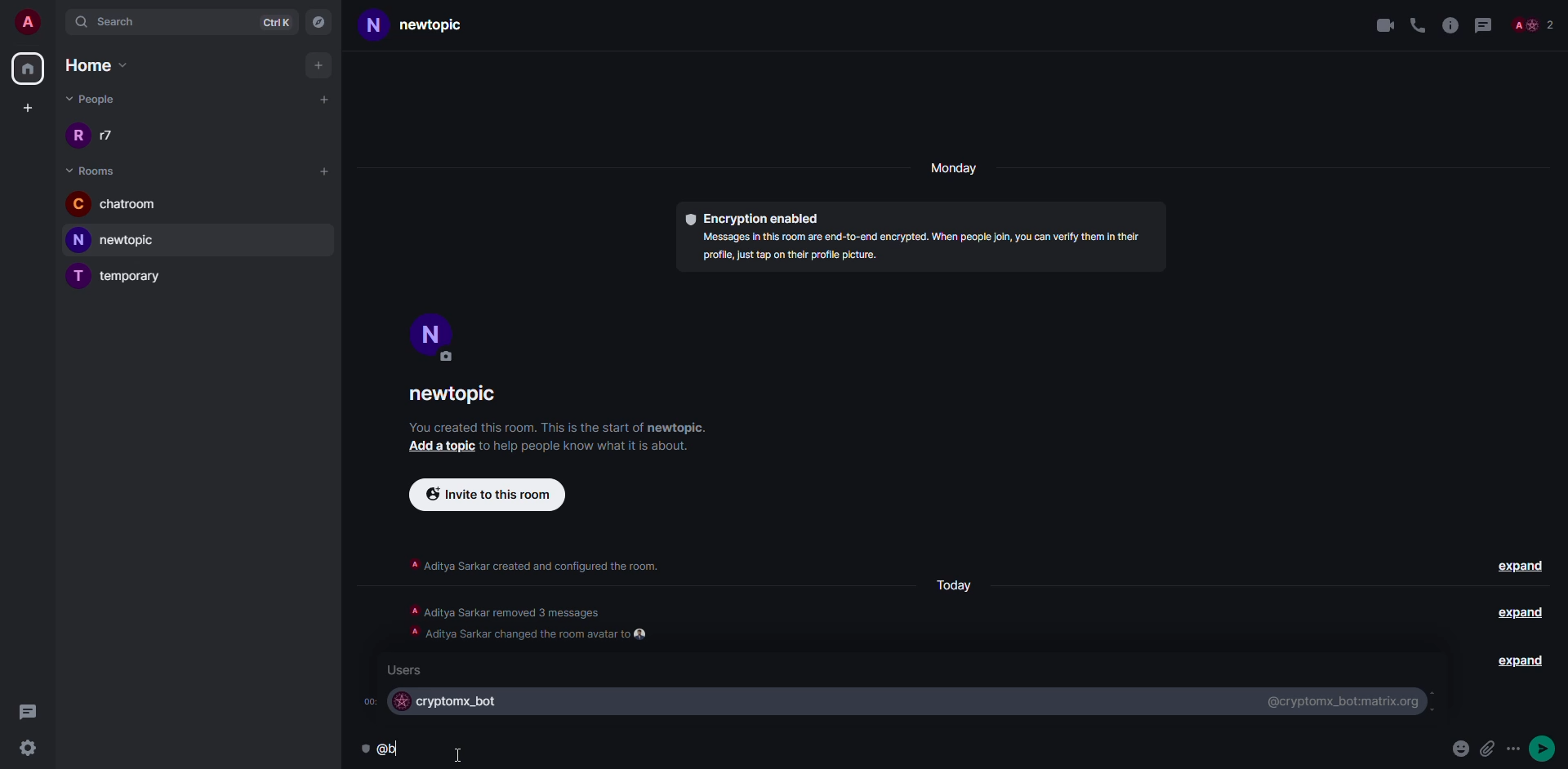  Describe the element at coordinates (94, 99) in the screenshot. I see `people` at that location.